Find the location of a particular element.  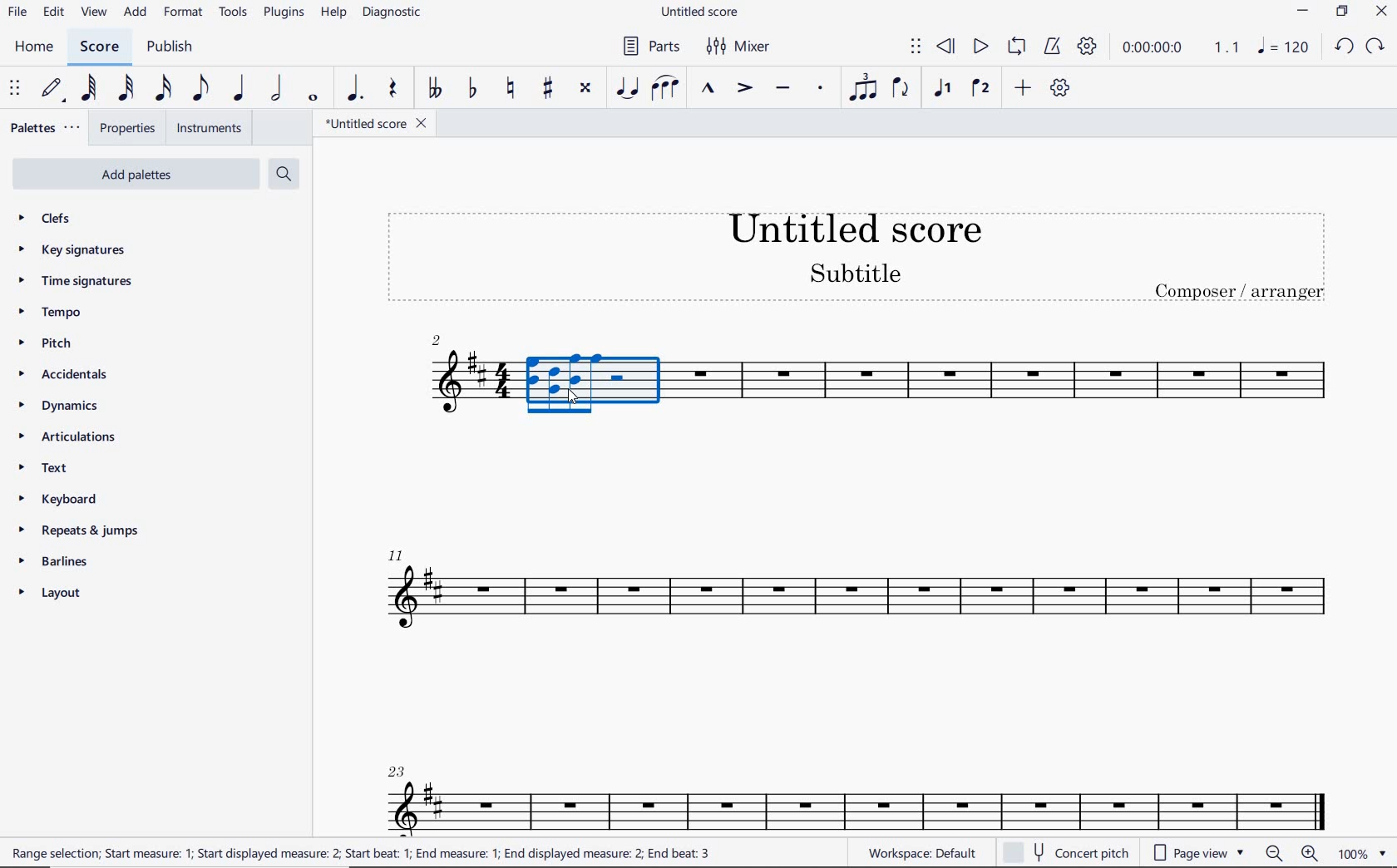

WHOLE NOTE is located at coordinates (311, 97).